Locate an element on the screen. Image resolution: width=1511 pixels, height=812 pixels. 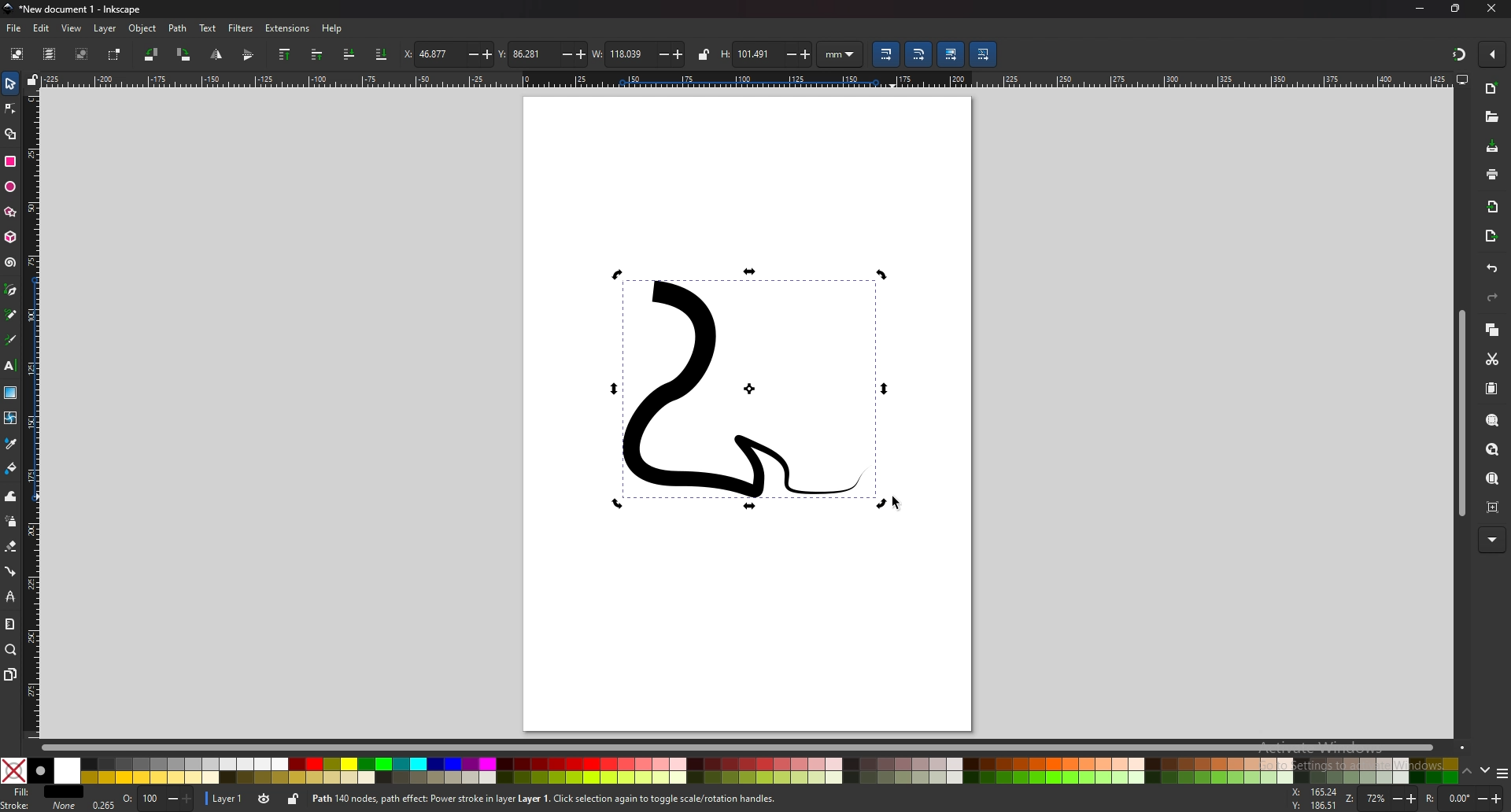
height is located at coordinates (767, 53).